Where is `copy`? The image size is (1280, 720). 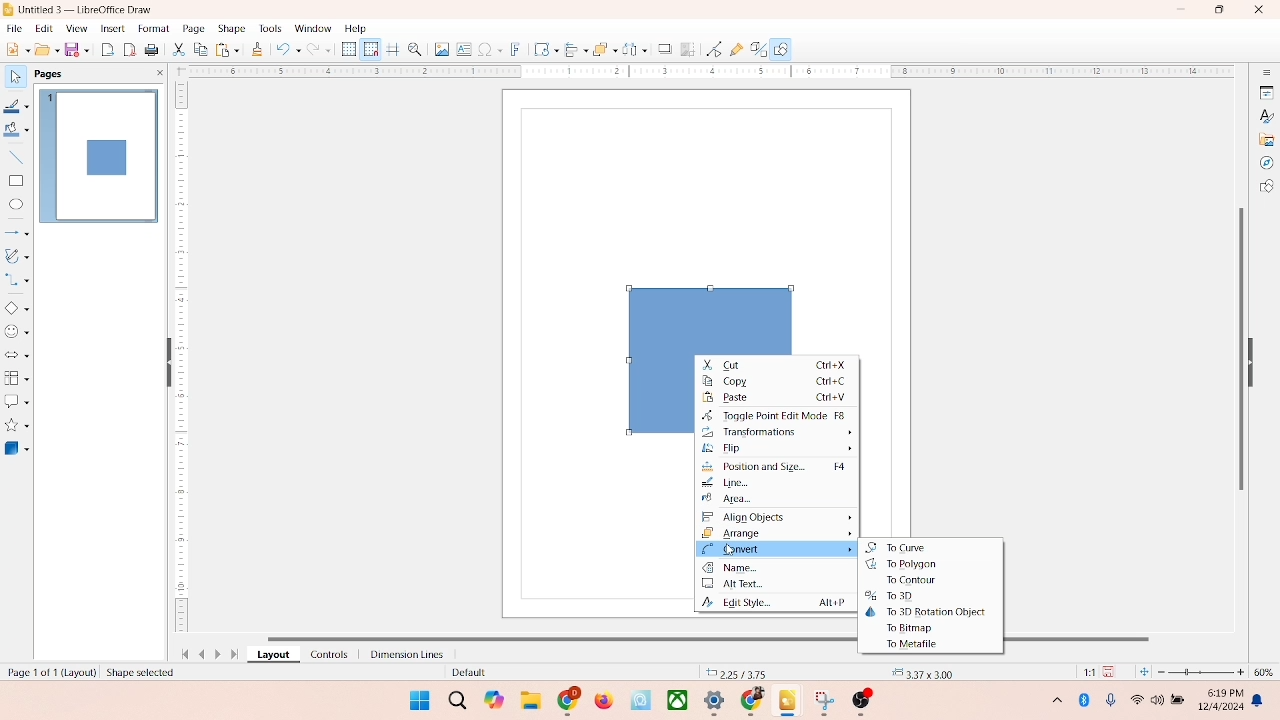
copy is located at coordinates (200, 51).